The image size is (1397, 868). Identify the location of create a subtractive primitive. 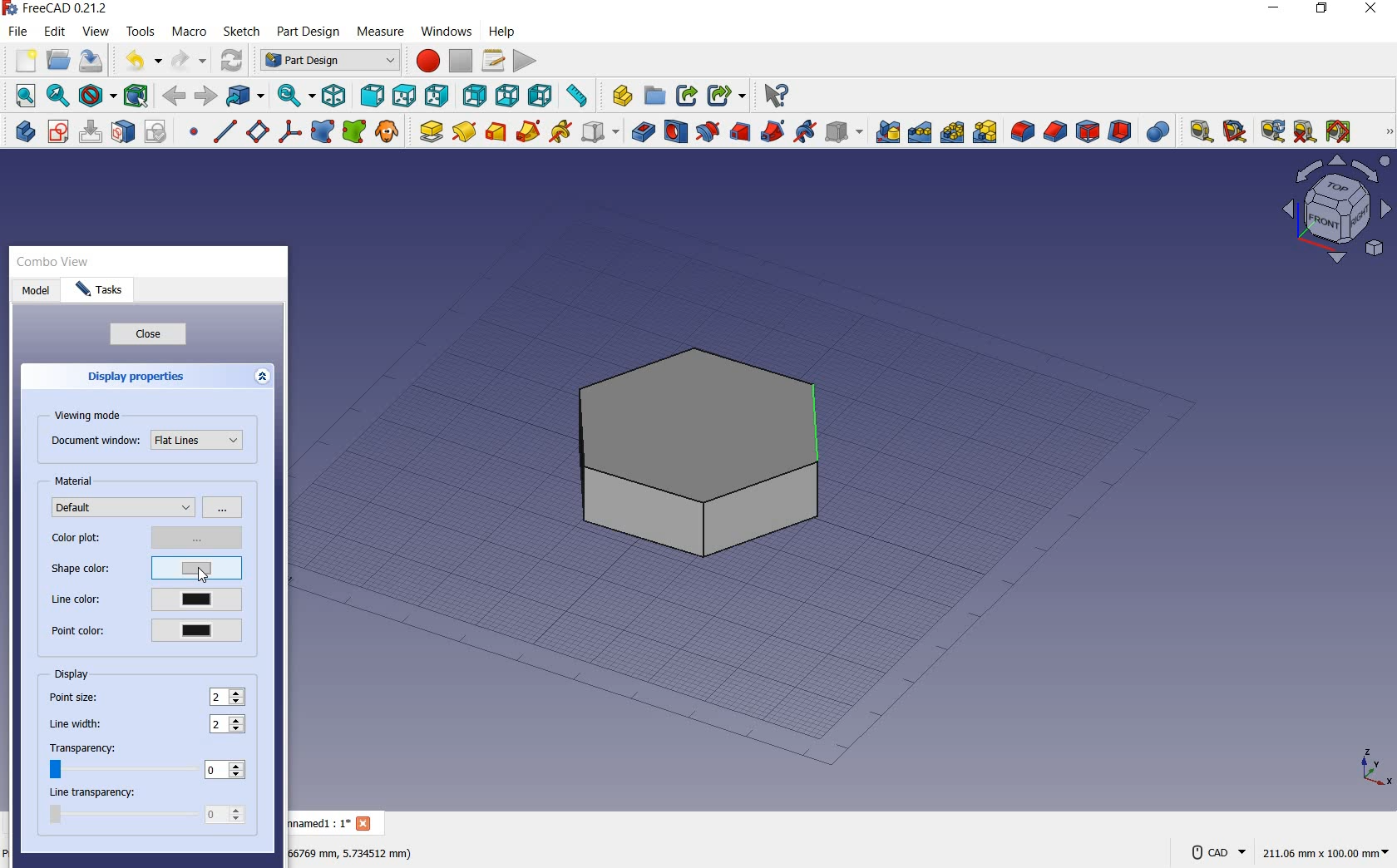
(844, 131).